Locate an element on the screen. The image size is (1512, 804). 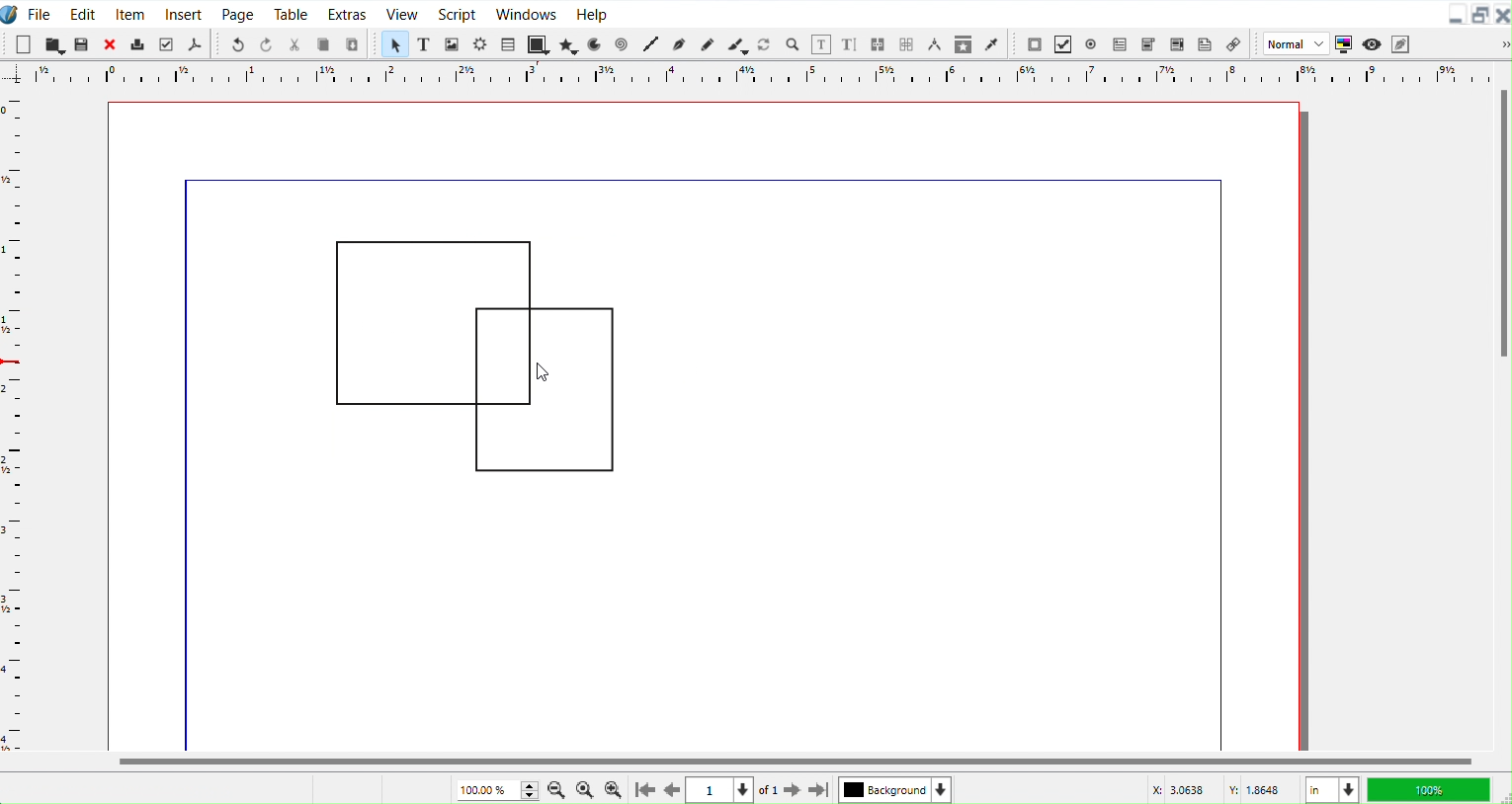
Toggle color is located at coordinates (1342, 44).